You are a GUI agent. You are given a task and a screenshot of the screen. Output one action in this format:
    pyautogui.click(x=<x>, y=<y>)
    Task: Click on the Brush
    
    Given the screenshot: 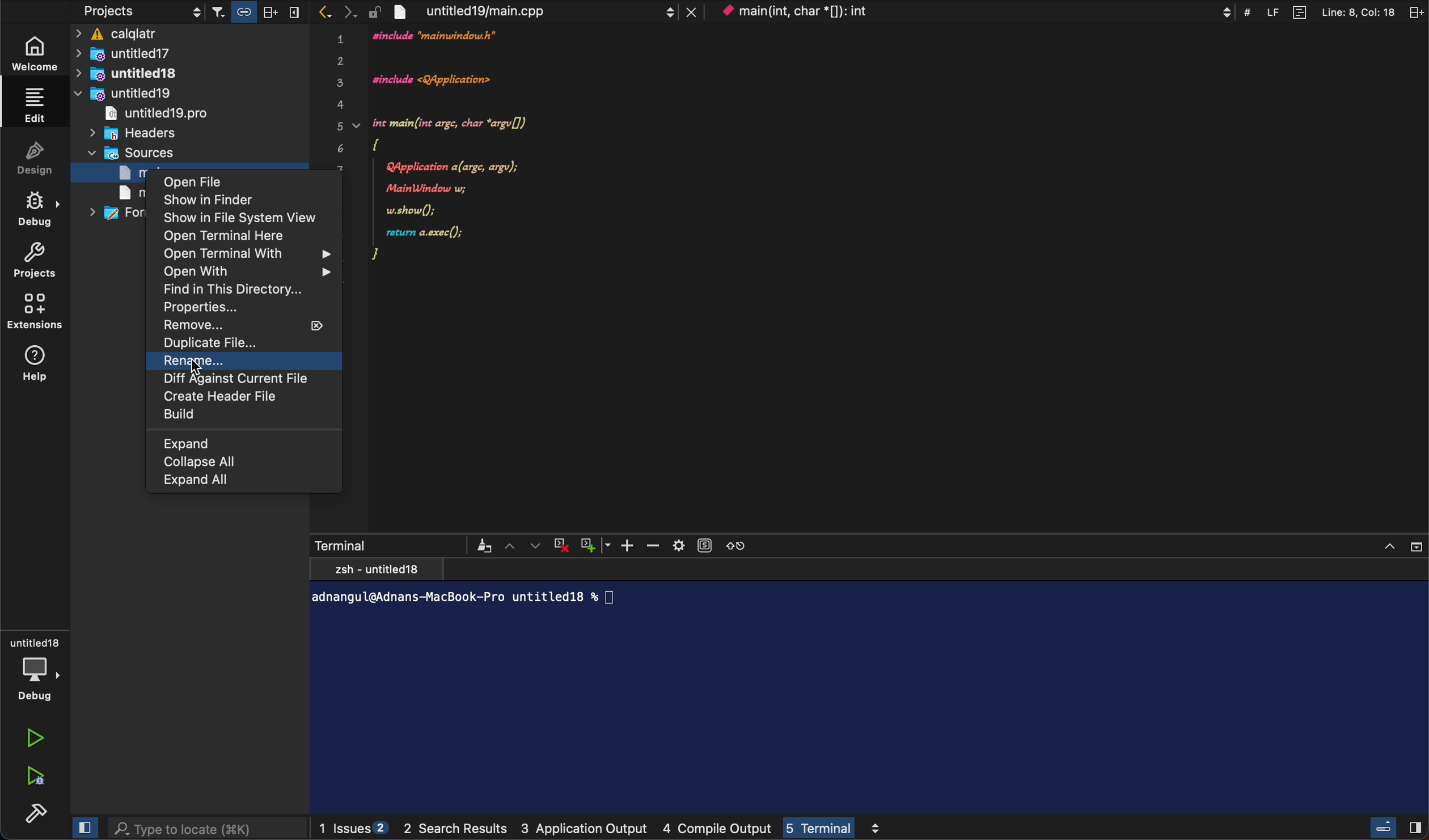 What is the action you would take?
    pyautogui.click(x=484, y=545)
    